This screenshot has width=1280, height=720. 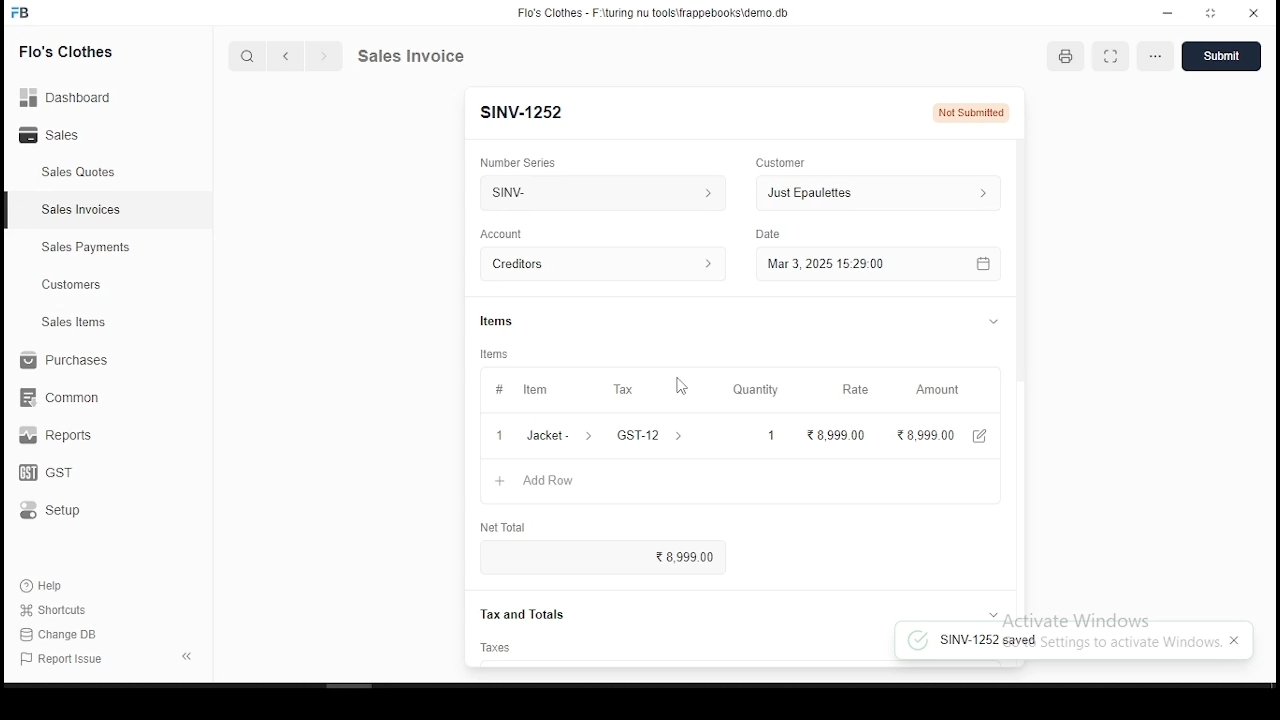 What do you see at coordinates (498, 353) in the screenshot?
I see `items` at bounding box center [498, 353].